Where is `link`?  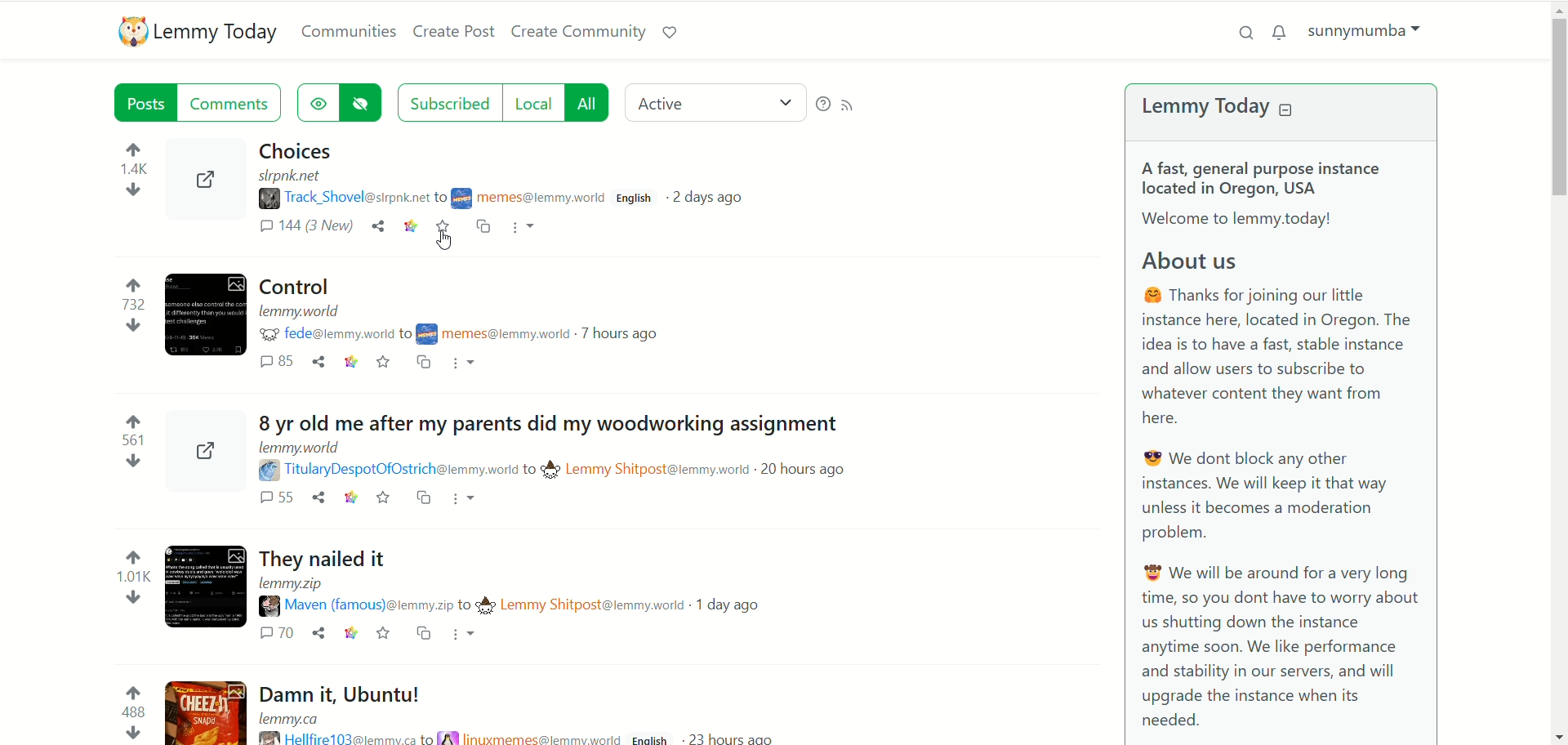
link is located at coordinates (411, 225).